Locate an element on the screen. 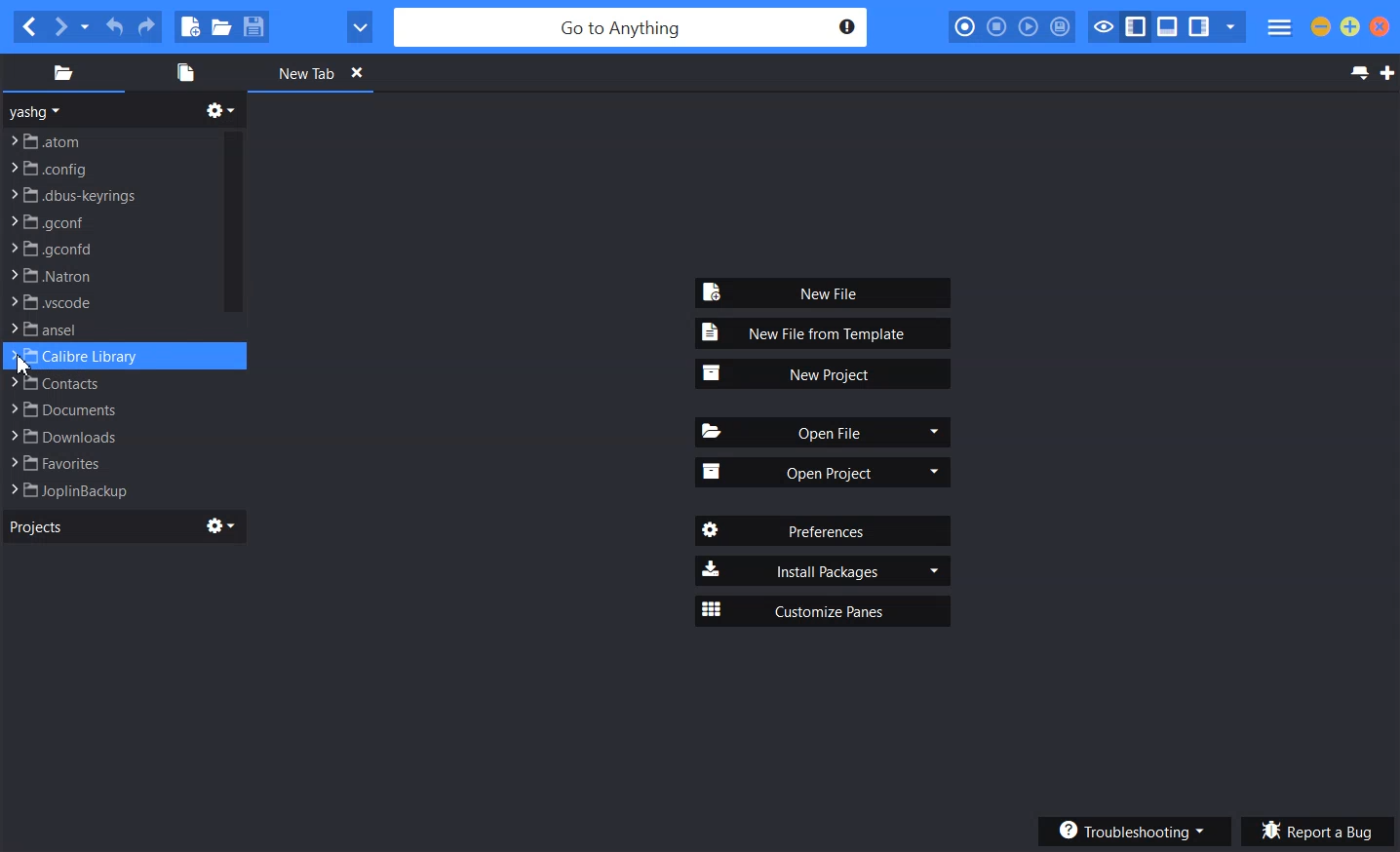  Directory related function is located at coordinates (220, 110).